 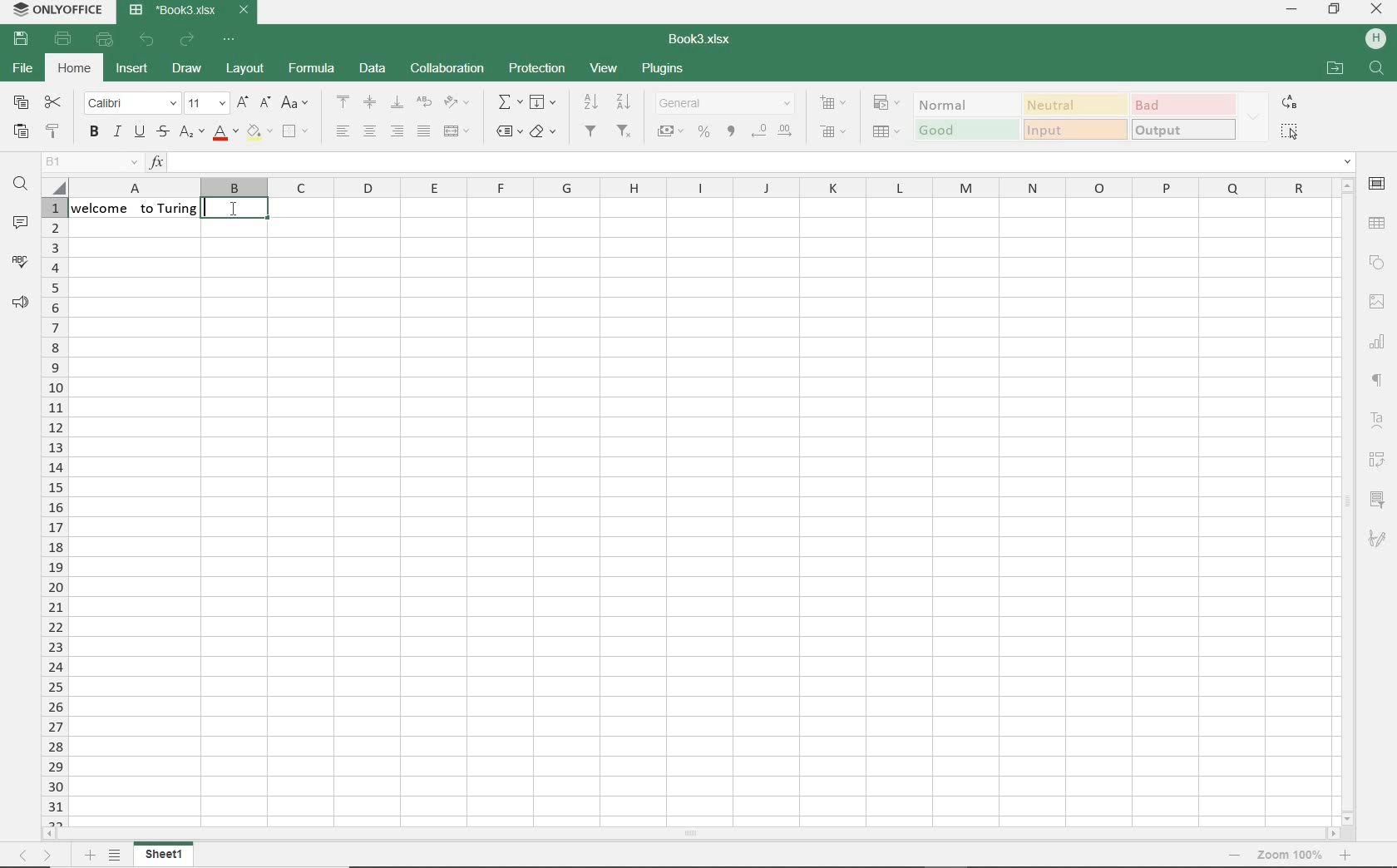 I want to click on comments, so click(x=20, y=223).